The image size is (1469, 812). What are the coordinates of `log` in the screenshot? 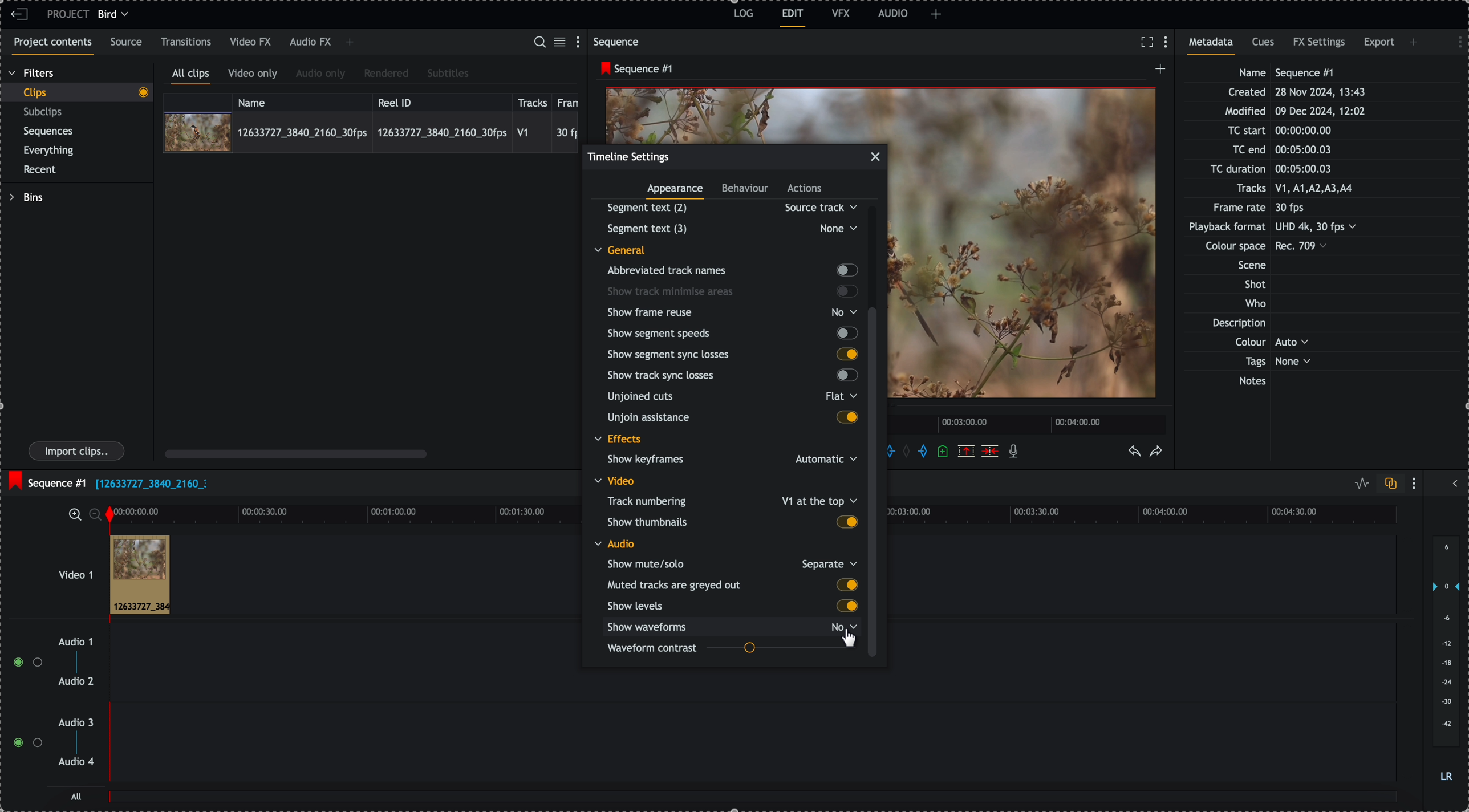 It's located at (742, 15).